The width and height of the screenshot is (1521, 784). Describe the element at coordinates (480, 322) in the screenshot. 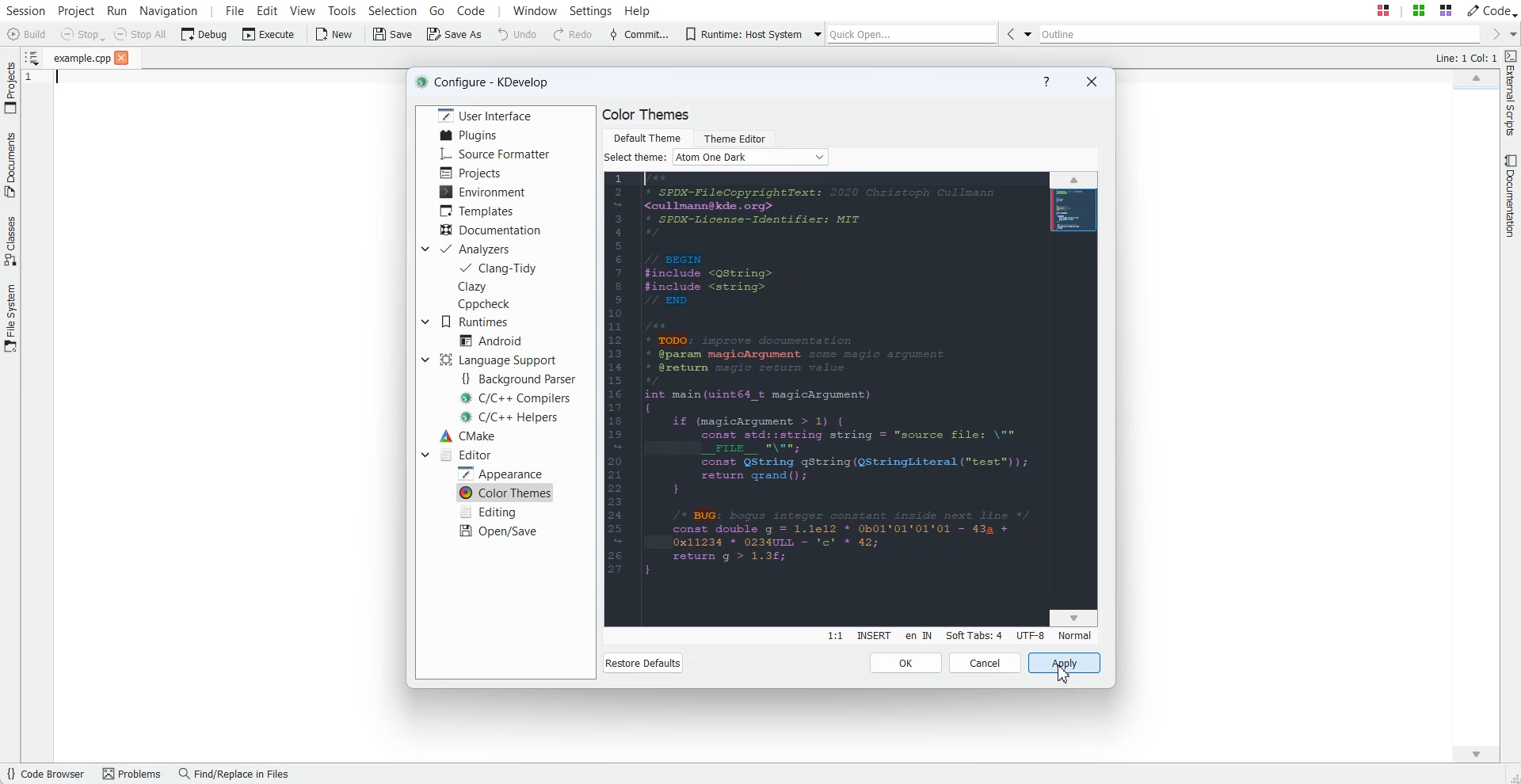

I see `Runtimes` at that location.